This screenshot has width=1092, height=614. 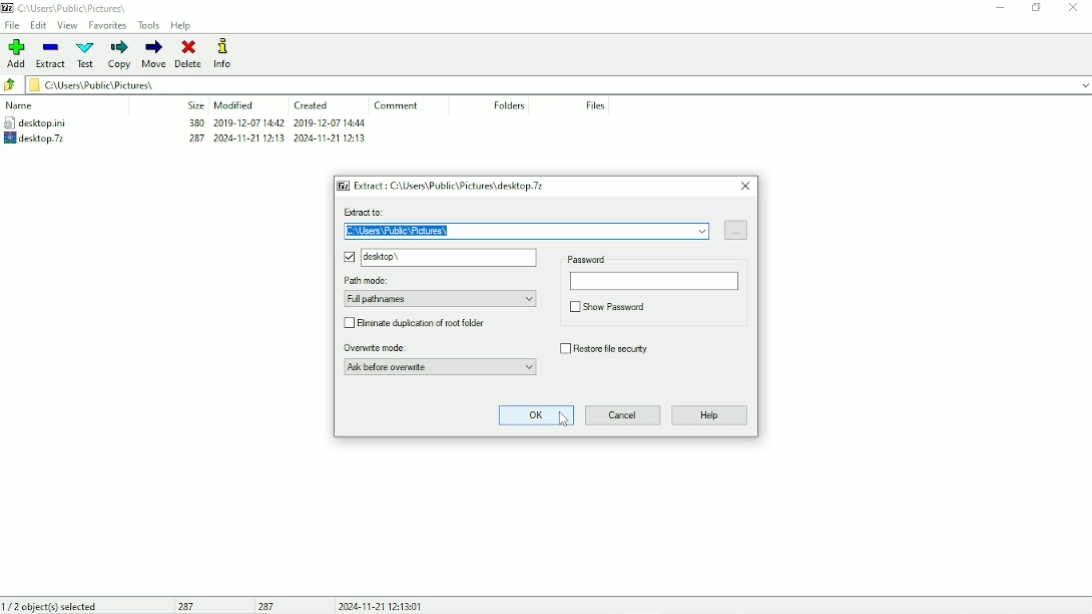 What do you see at coordinates (343, 185) in the screenshot?
I see `7 zip logo` at bounding box center [343, 185].